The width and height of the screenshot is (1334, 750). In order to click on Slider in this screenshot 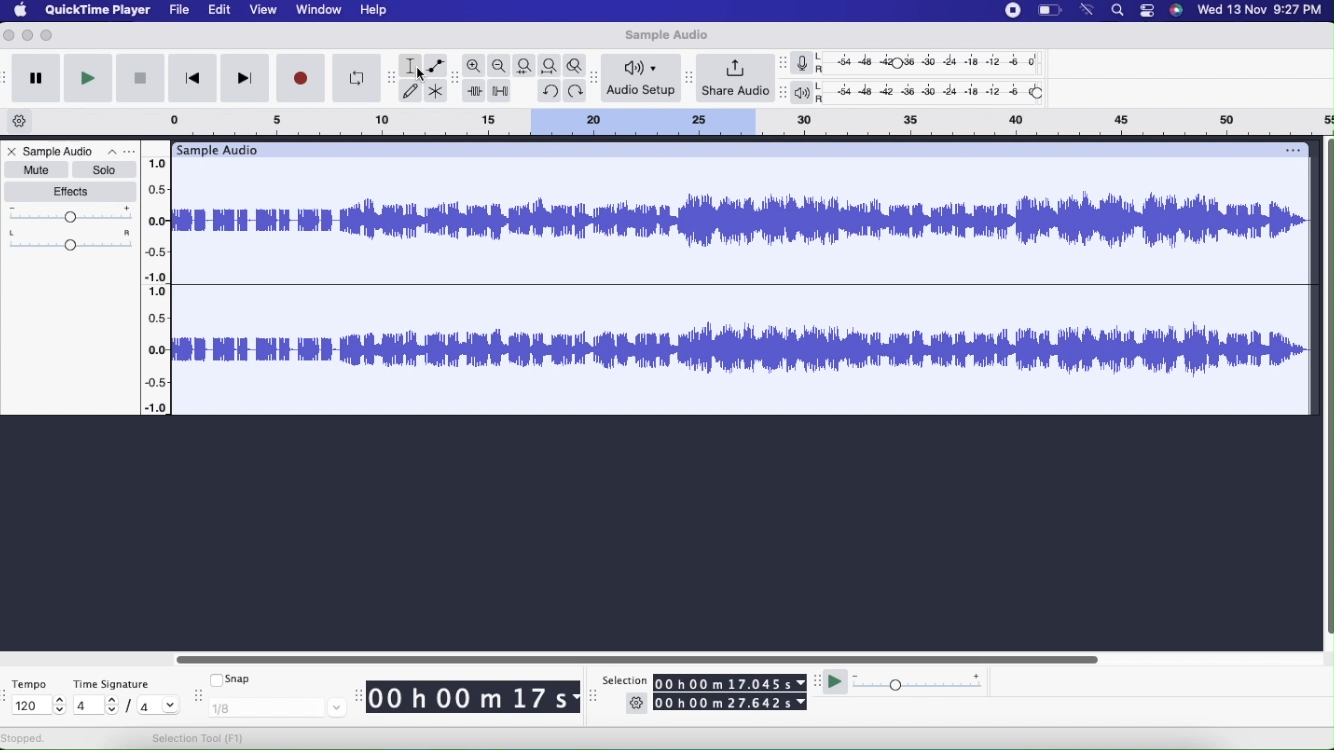, I will do `click(635, 657)`.